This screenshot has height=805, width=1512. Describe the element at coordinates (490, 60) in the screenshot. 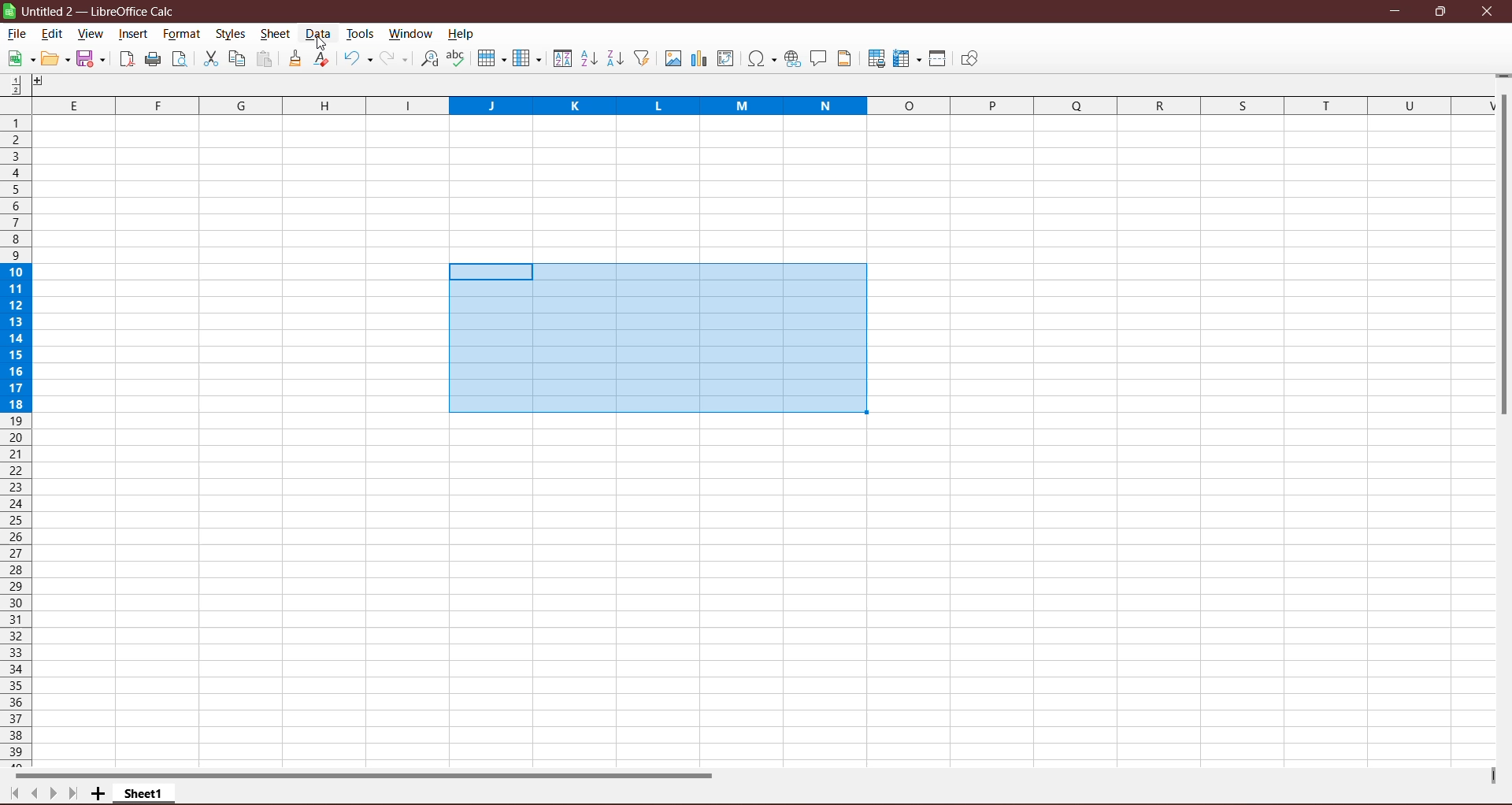

I see `Rows` at that location.